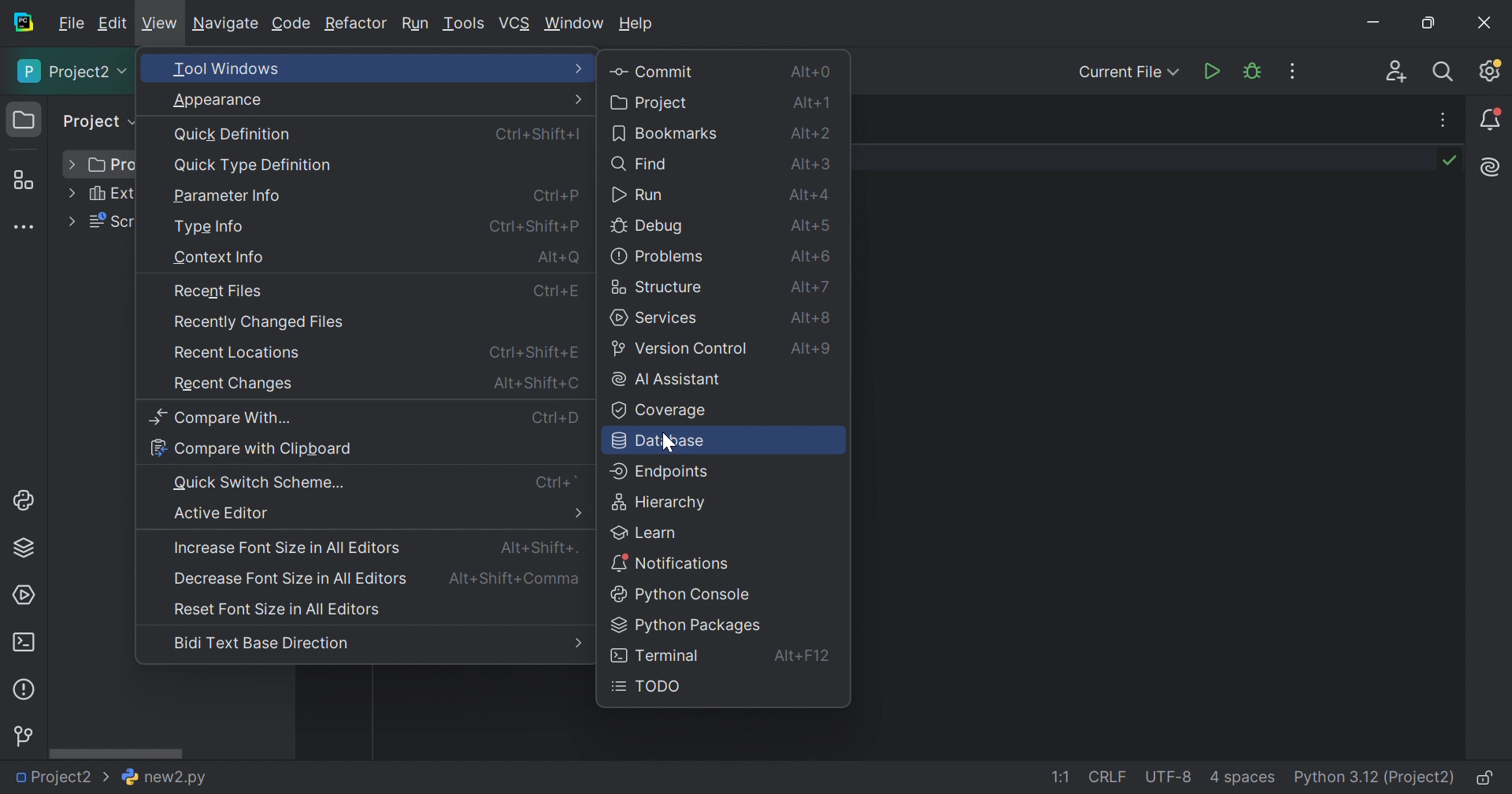  What do you see at coordinates (24, 121) in the screenshot?
I see `Project icon` at bounding box center [24, 121].